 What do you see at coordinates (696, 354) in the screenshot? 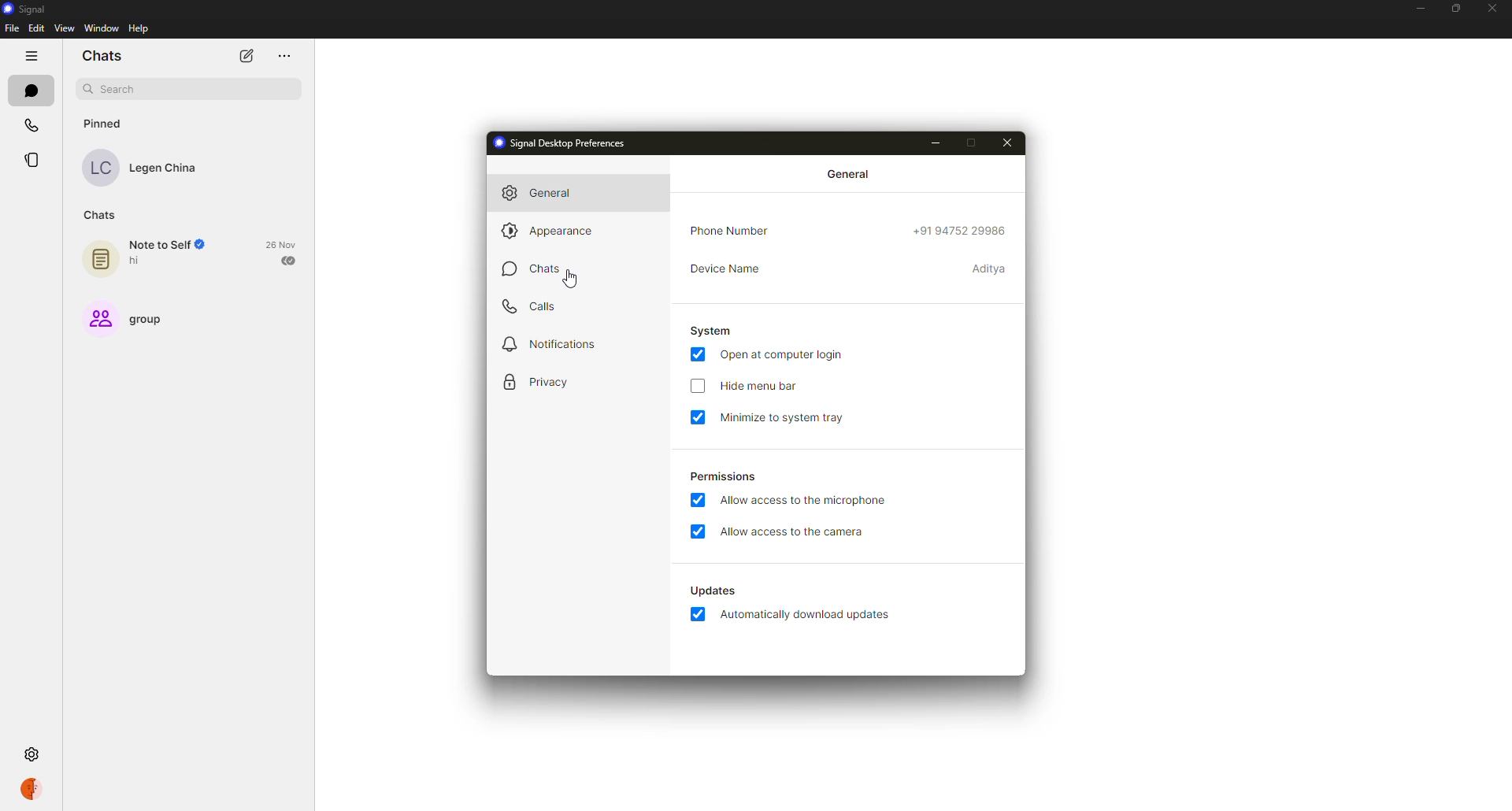
I see `enabled` at bounding box center [696, 354].